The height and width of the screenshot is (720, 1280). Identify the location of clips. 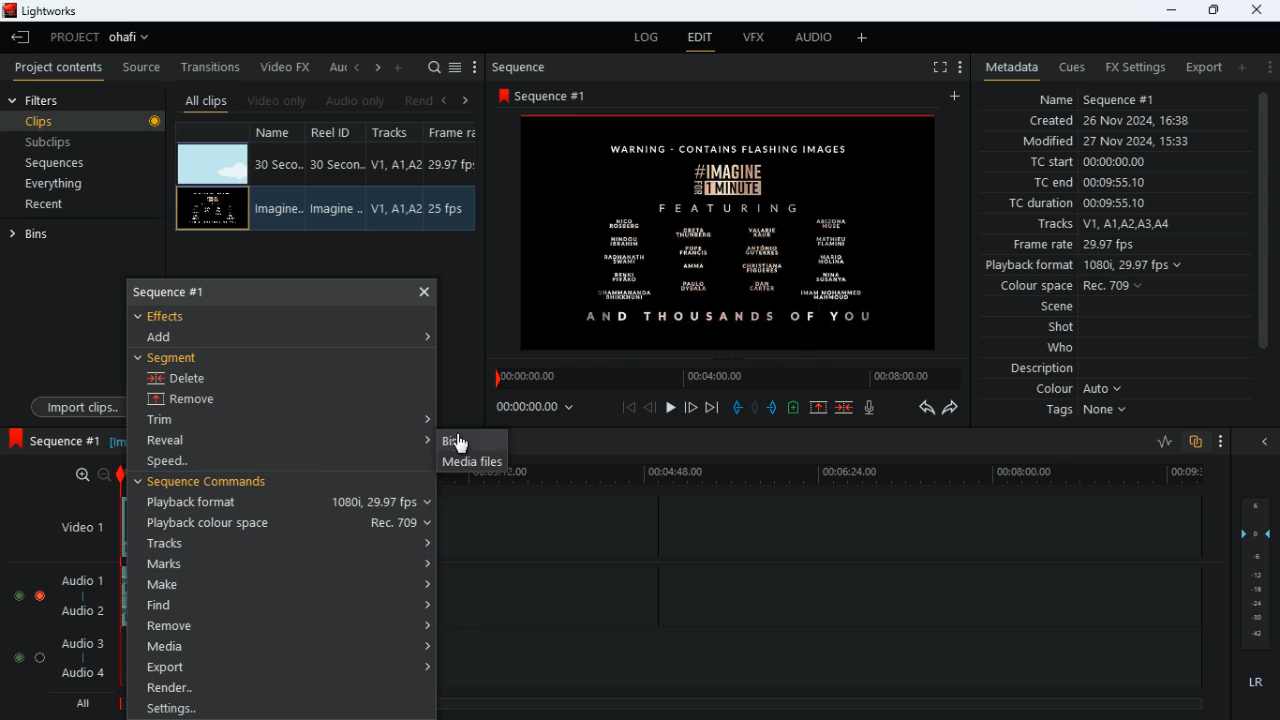
(85, 123).